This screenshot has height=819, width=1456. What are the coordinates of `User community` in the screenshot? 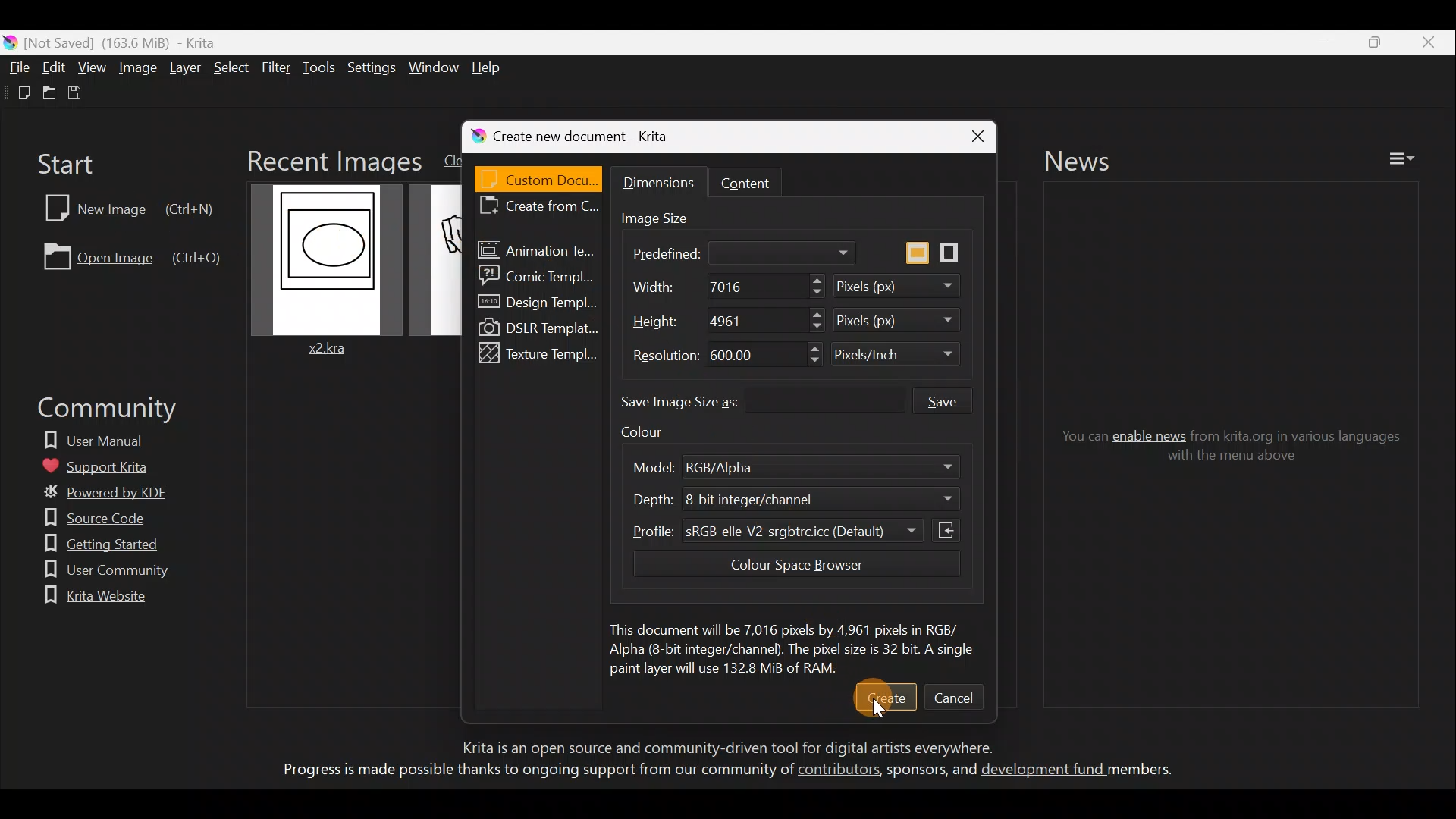 It's located at (97, 572).